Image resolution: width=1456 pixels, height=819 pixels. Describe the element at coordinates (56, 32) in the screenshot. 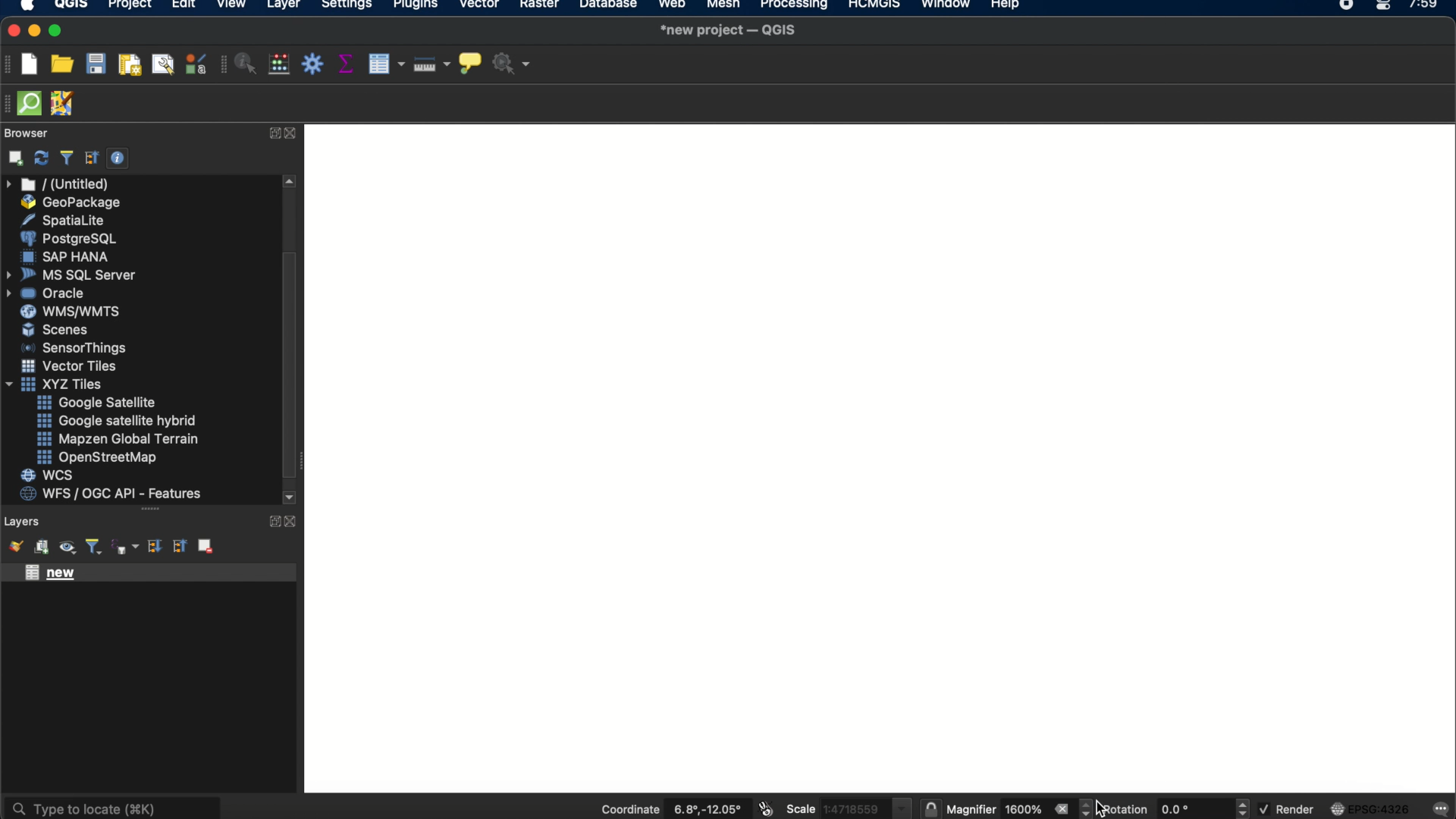

I see `maximize` at that location.